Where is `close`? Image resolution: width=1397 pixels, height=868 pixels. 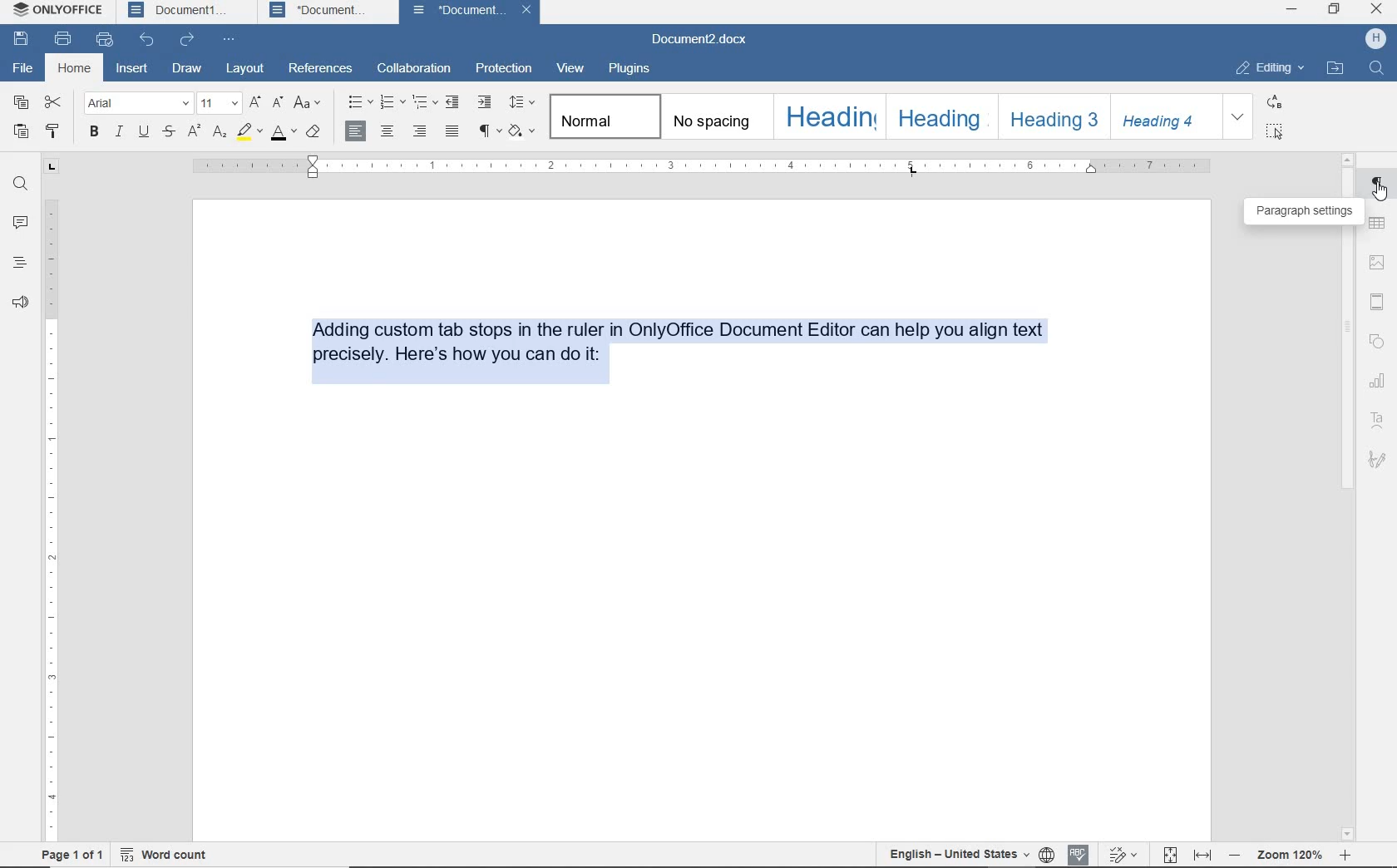
close is located at coordinates (1376, 10).